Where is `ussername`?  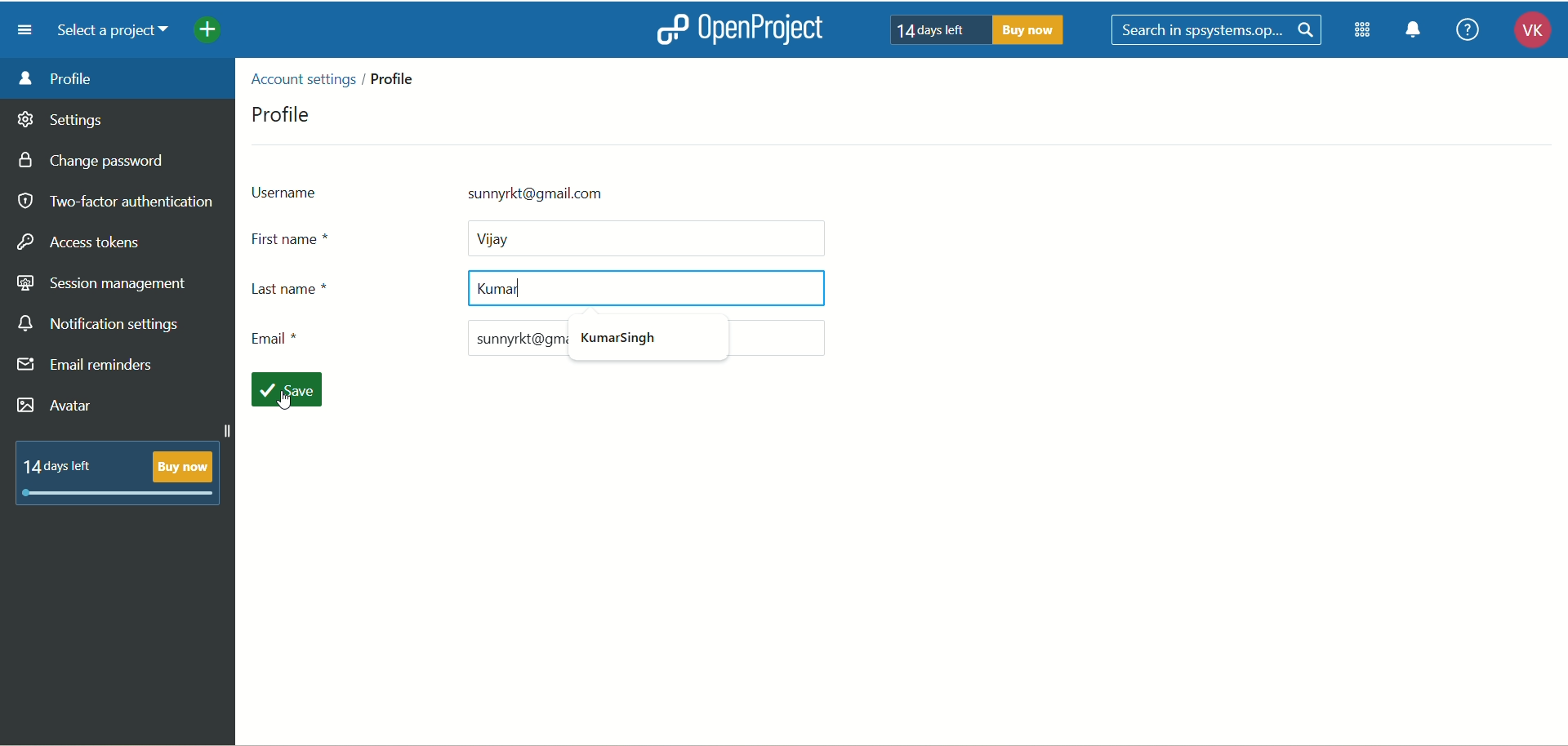
ussername is located at coordinates (510, 191).